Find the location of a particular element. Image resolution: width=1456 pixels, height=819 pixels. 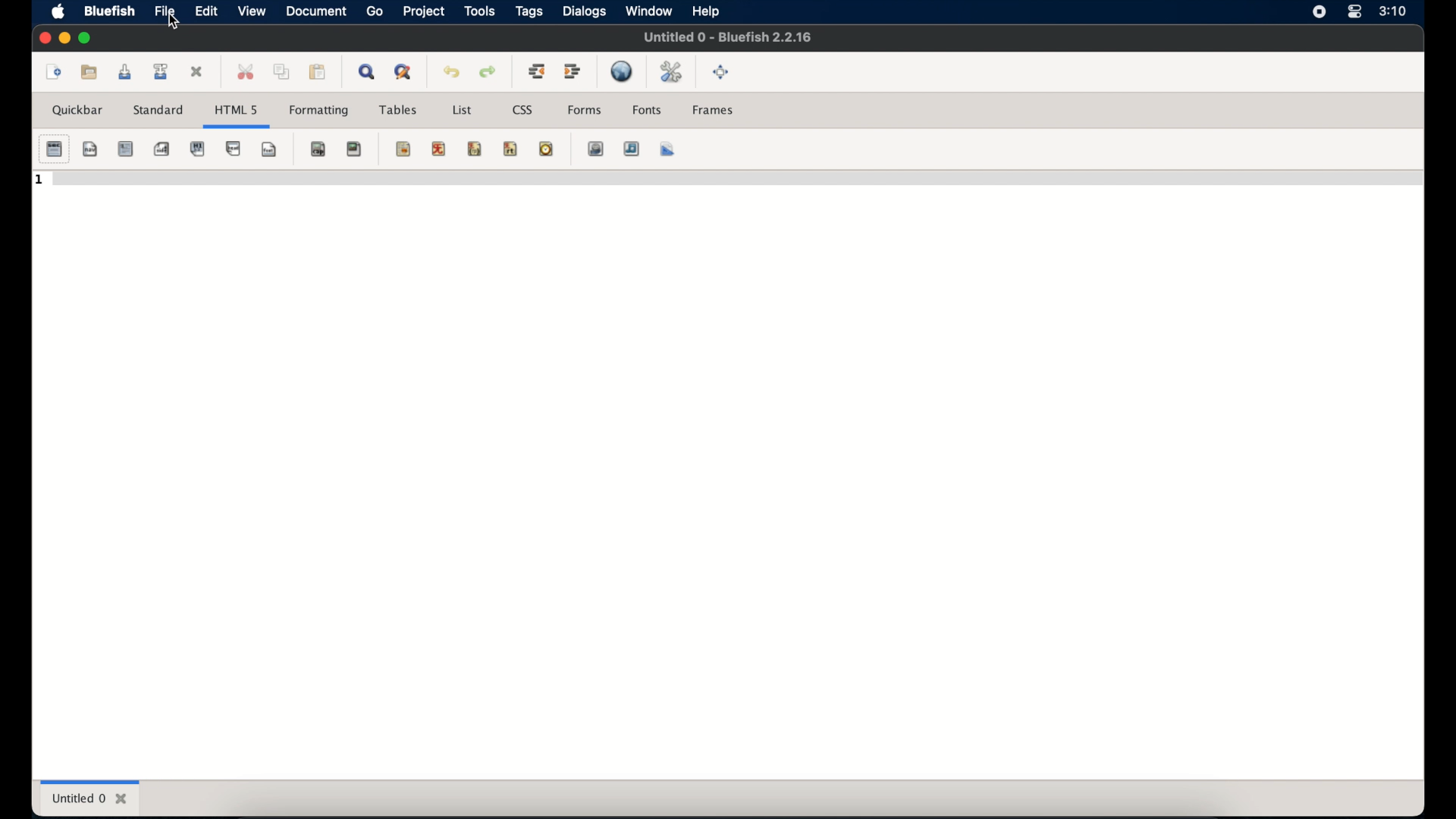

minimize is located at coordinates (64, 39).